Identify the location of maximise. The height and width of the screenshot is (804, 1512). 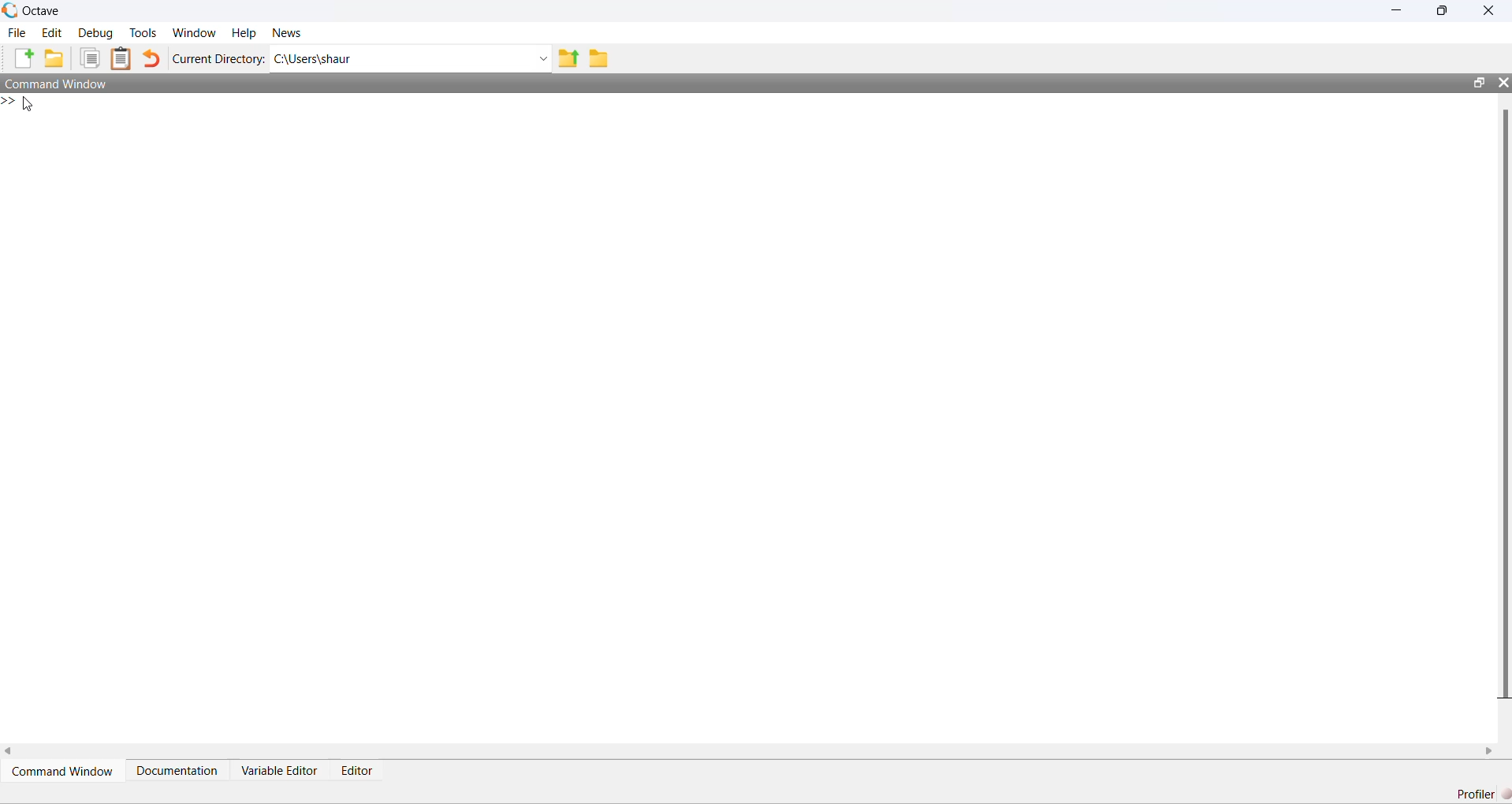
(1443, 9).